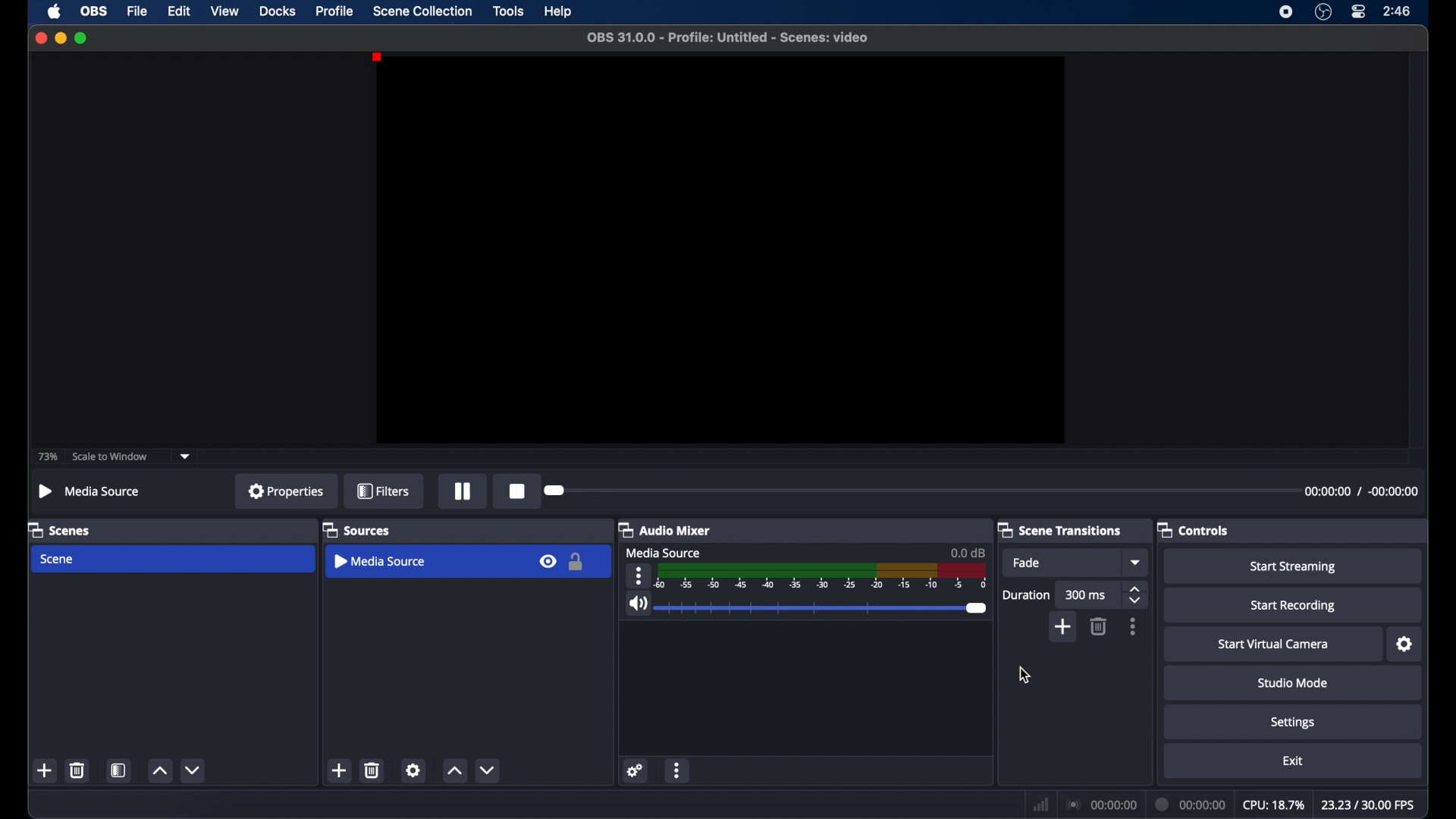 The image size is (1456, 819). What do you see at coordinates (1137, 596) in the screenshot?
I see `stepper buttons` at bounding box center [1137, 596].